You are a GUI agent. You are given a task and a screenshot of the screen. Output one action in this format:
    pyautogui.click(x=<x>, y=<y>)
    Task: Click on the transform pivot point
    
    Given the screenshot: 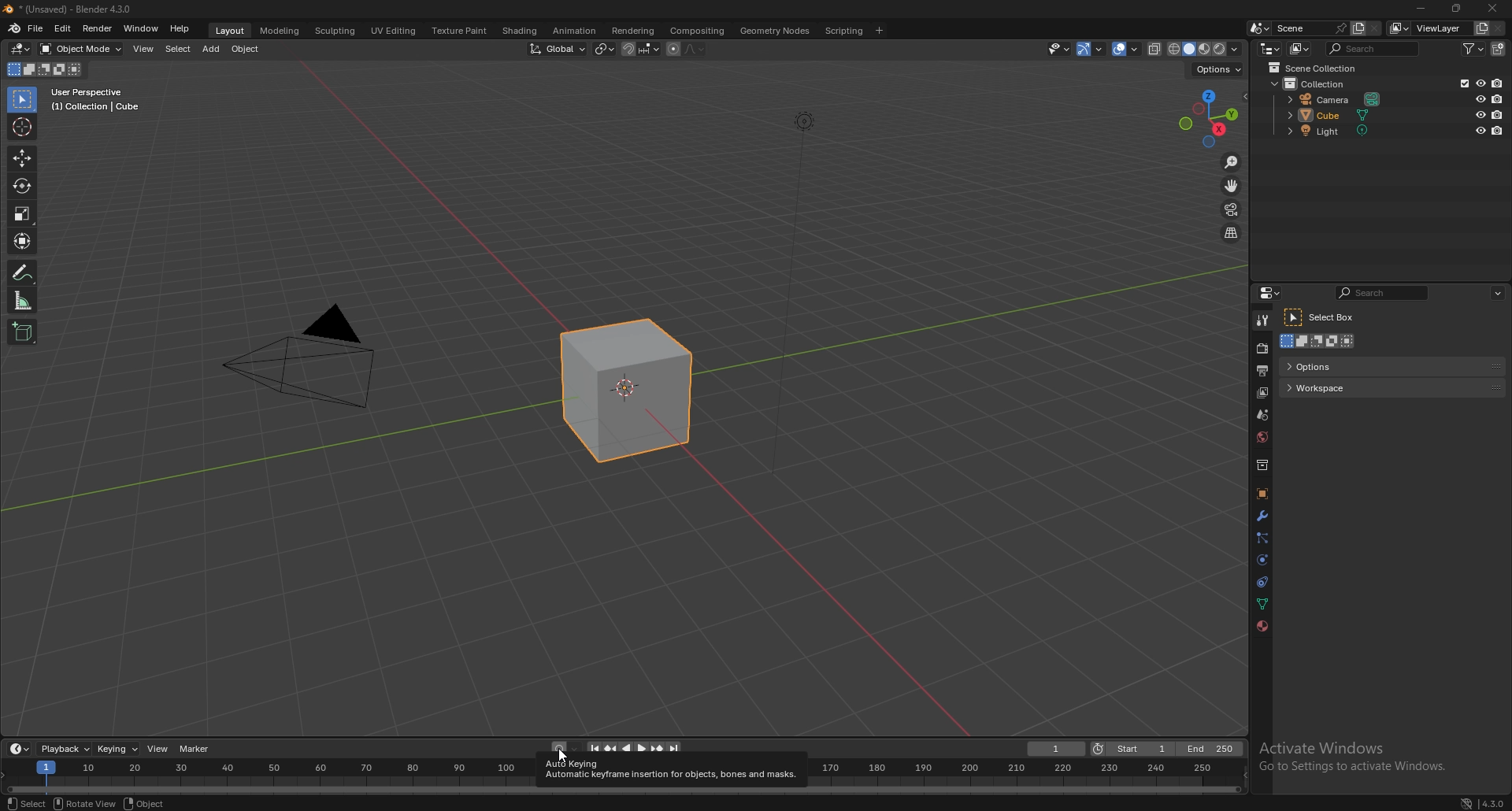 What is the action you would take?
    pyautogui.click(x=606, y=48)
    